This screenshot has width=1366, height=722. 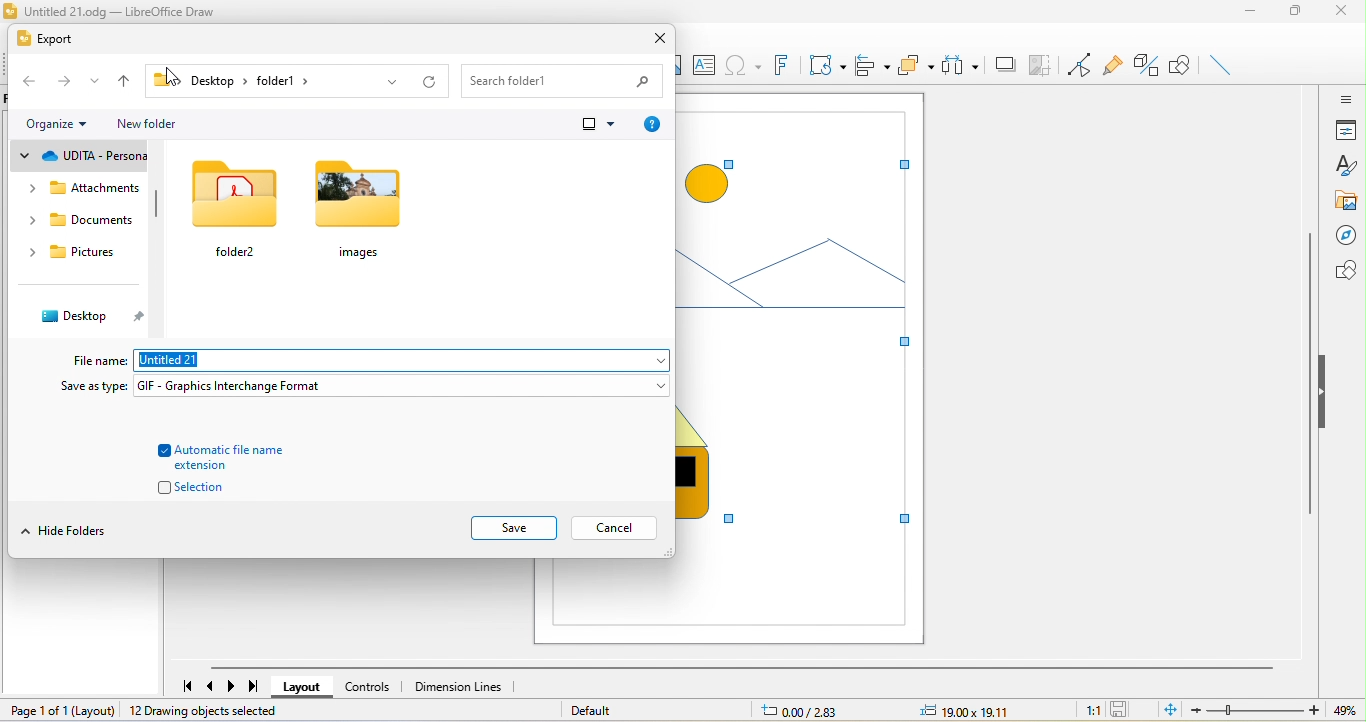 I want to click on controls, so click(x=368, y=686).